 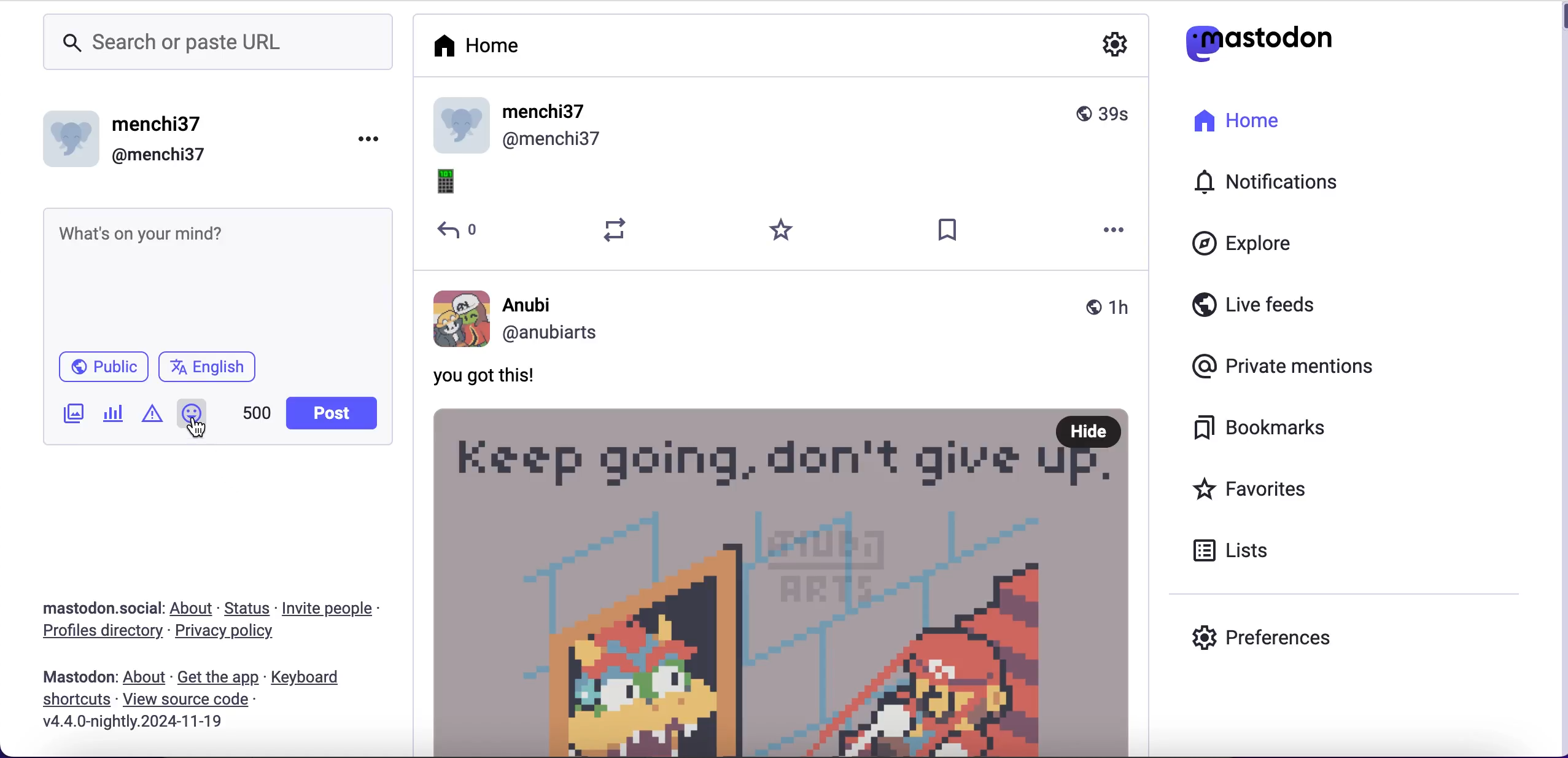 What do you see at coordinates (132, 725) in the screenshot?
I see `v4.4.0-nightly.2024-11-19` at bounding box center [132, 725].